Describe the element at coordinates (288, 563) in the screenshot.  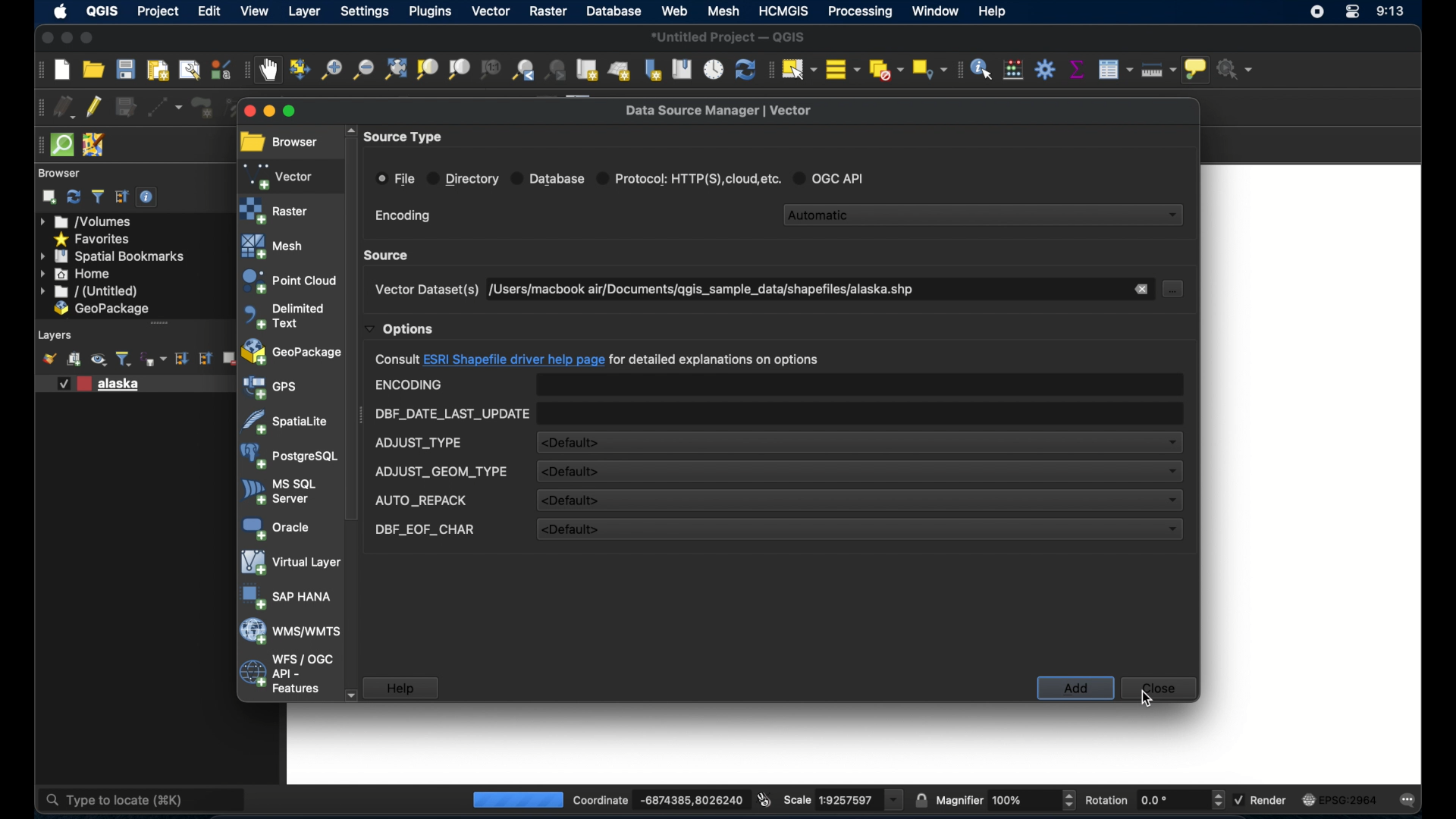
I see `virtual layer` at that location.